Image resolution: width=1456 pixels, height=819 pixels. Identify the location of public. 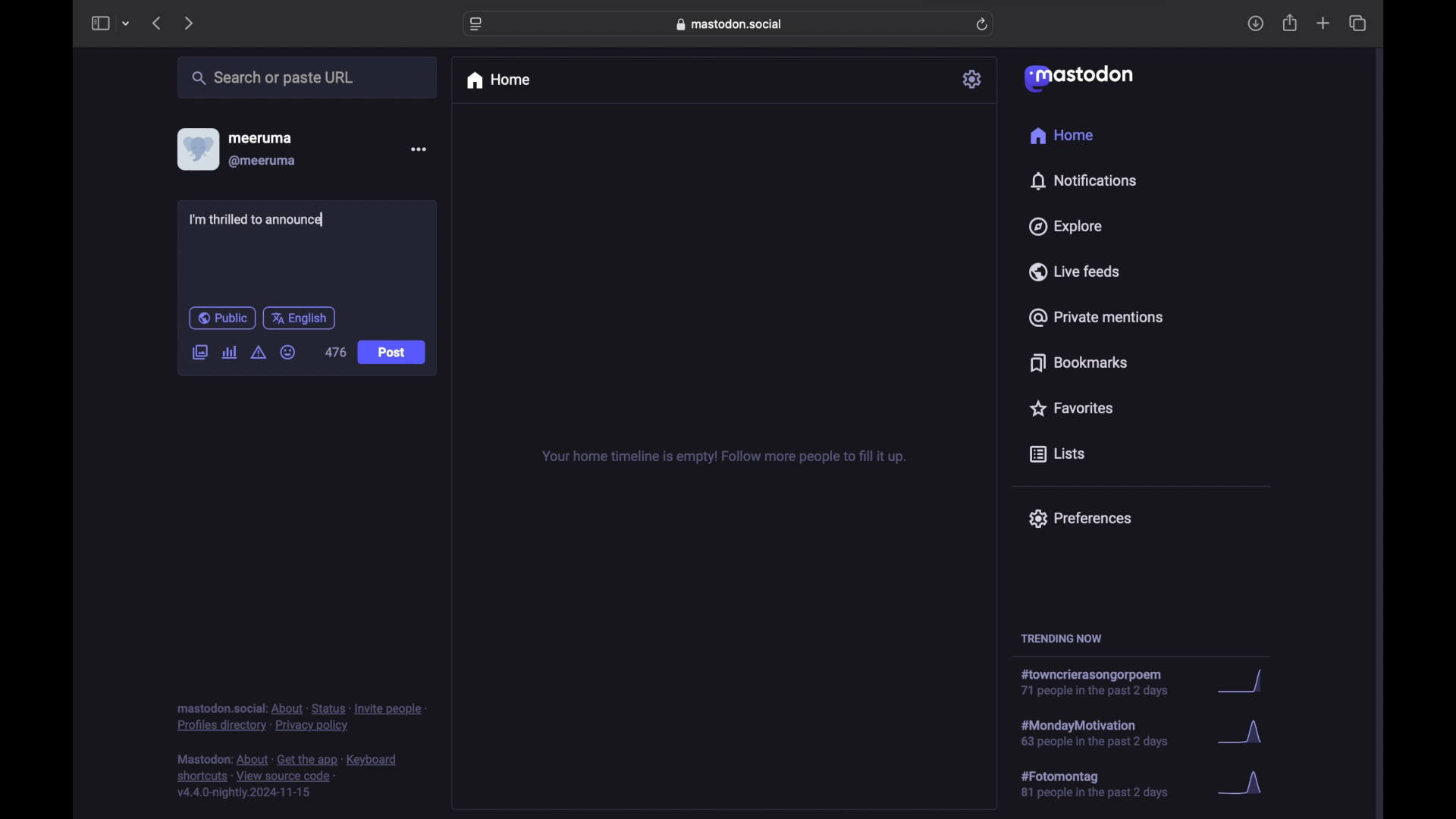
(222, 318).